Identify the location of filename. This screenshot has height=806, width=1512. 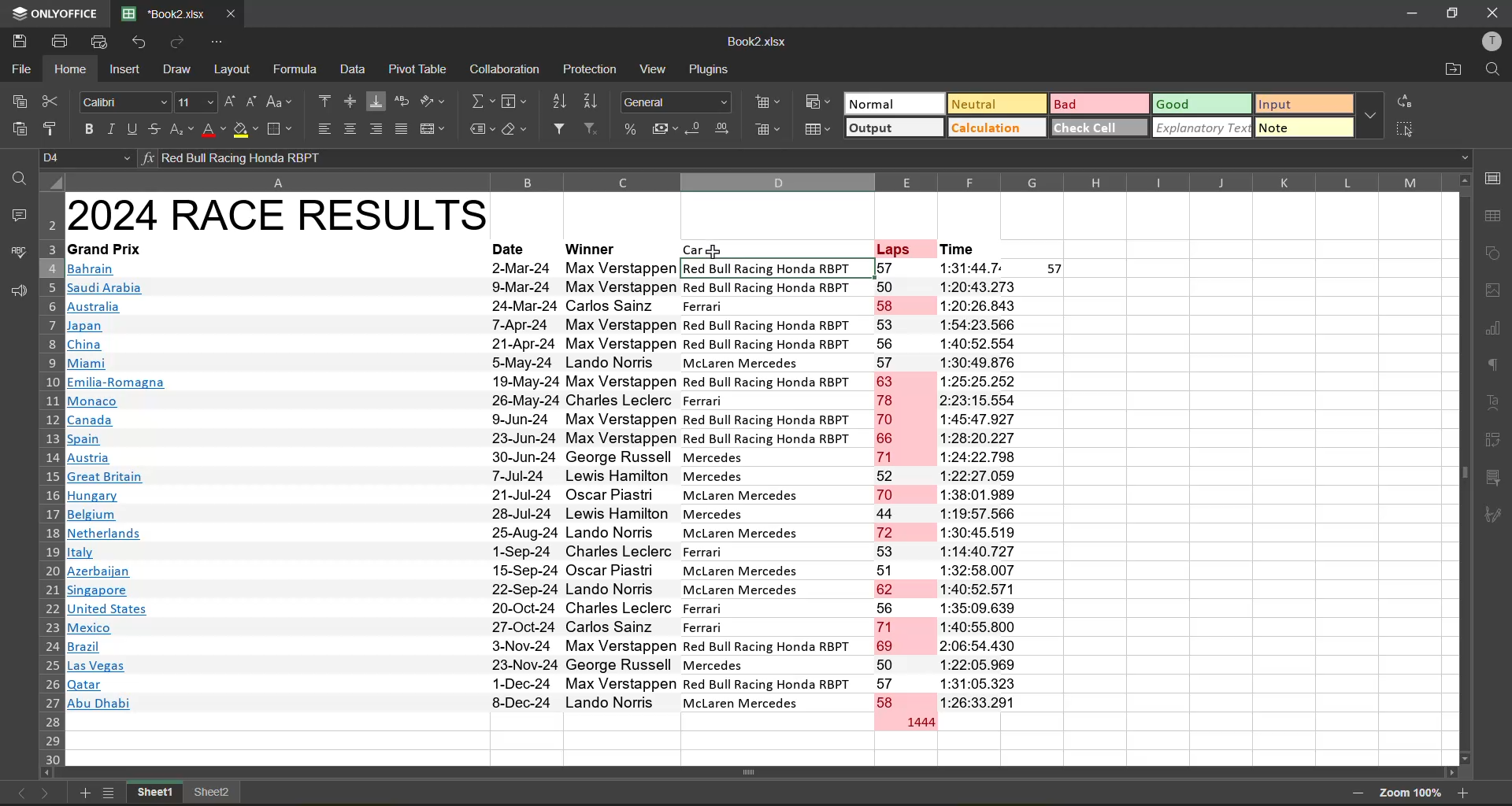
(169, 13).